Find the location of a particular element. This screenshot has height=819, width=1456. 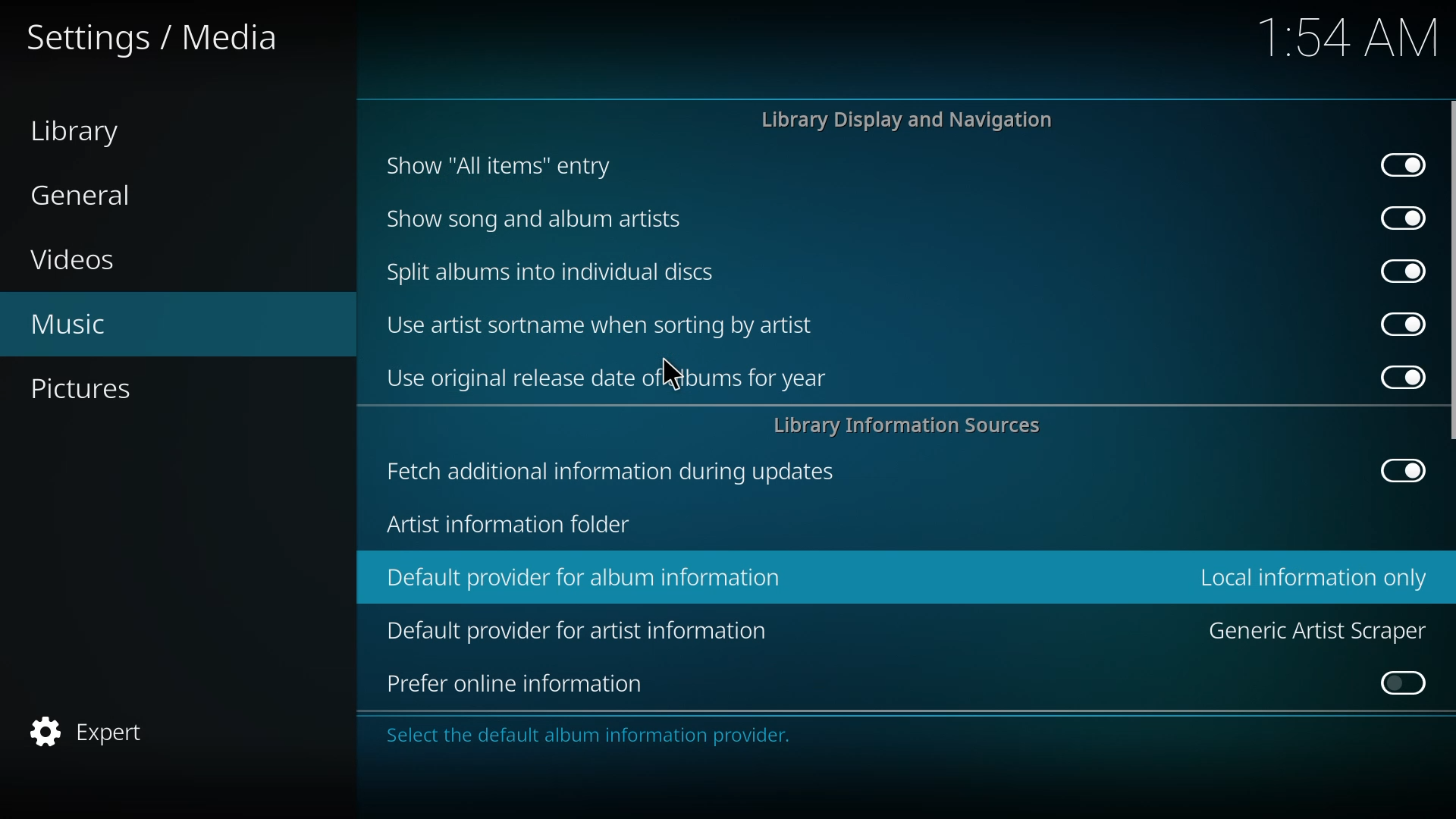

enabled is located at coordinates (1395, 218).